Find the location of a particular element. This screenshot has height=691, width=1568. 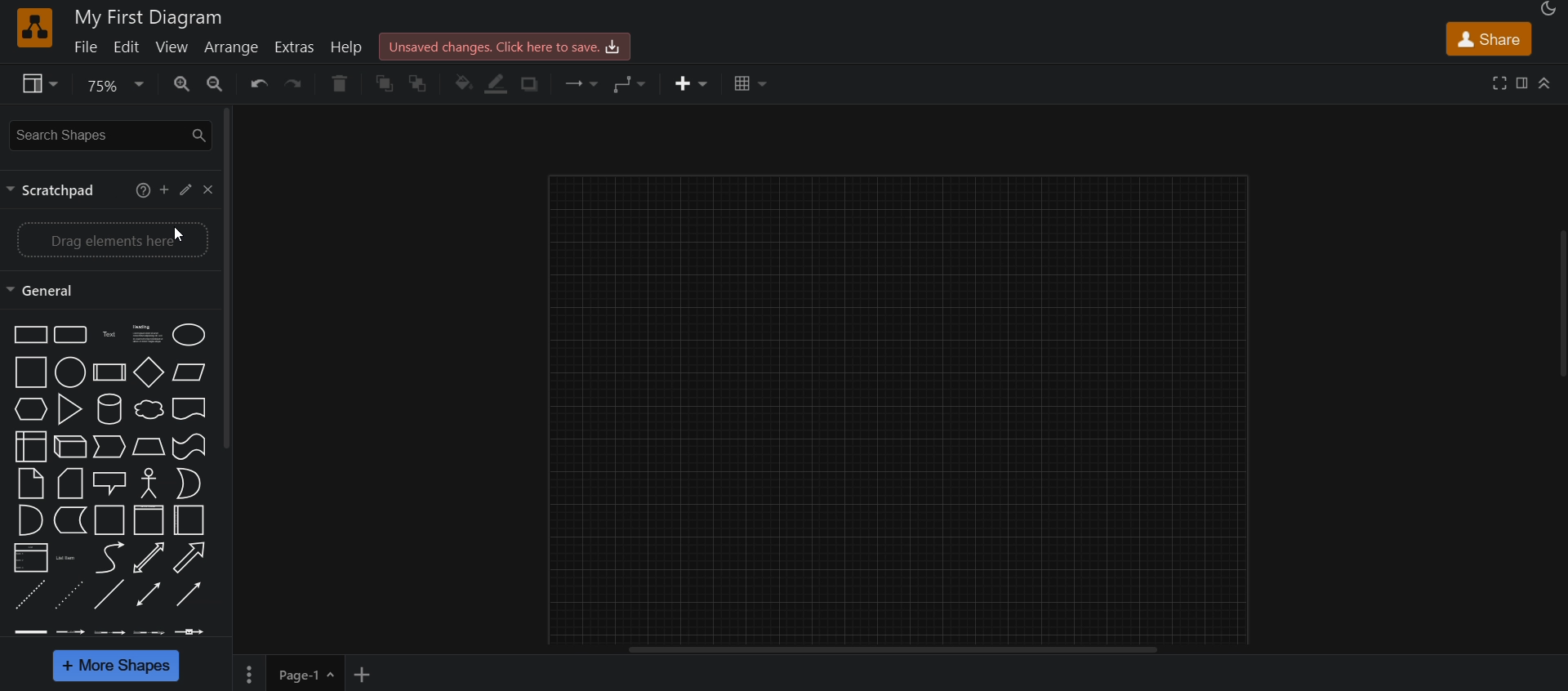

50% is located at coordinates (167, 192).